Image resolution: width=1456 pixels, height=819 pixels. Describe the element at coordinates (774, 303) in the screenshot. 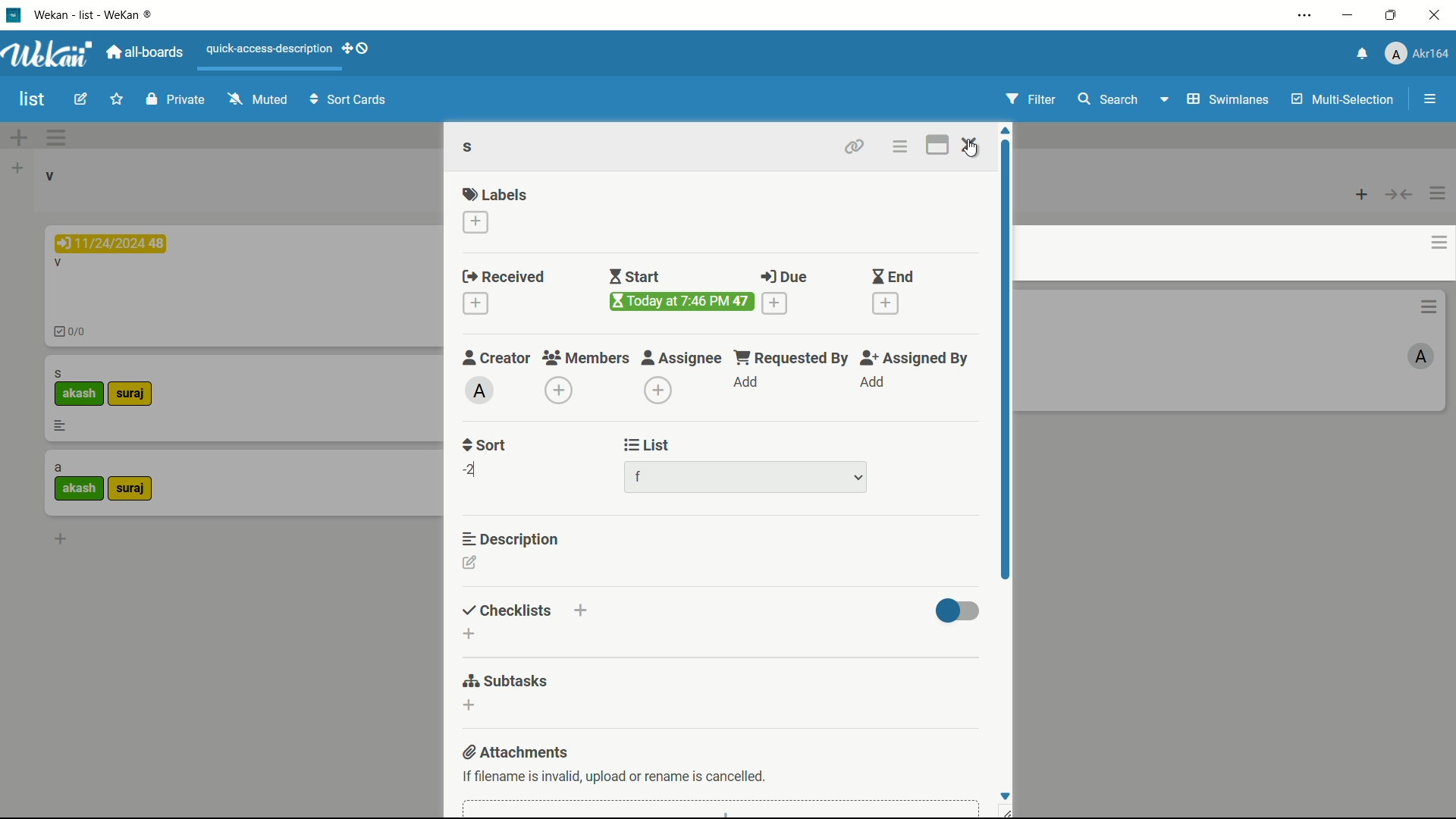

I see `add due date` at that location.